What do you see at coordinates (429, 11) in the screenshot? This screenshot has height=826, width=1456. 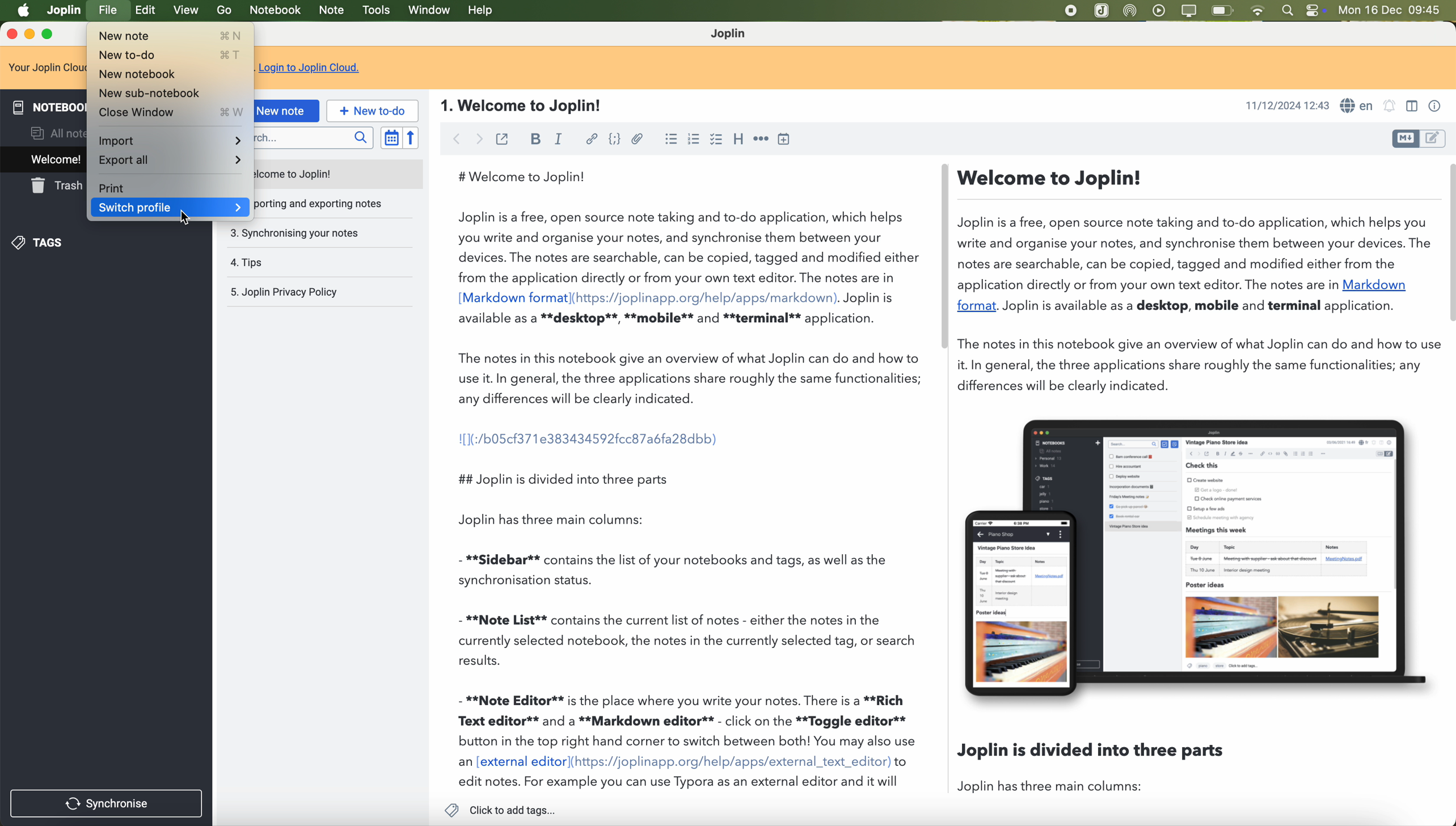 I see `window` at bounding box center [429, 11].